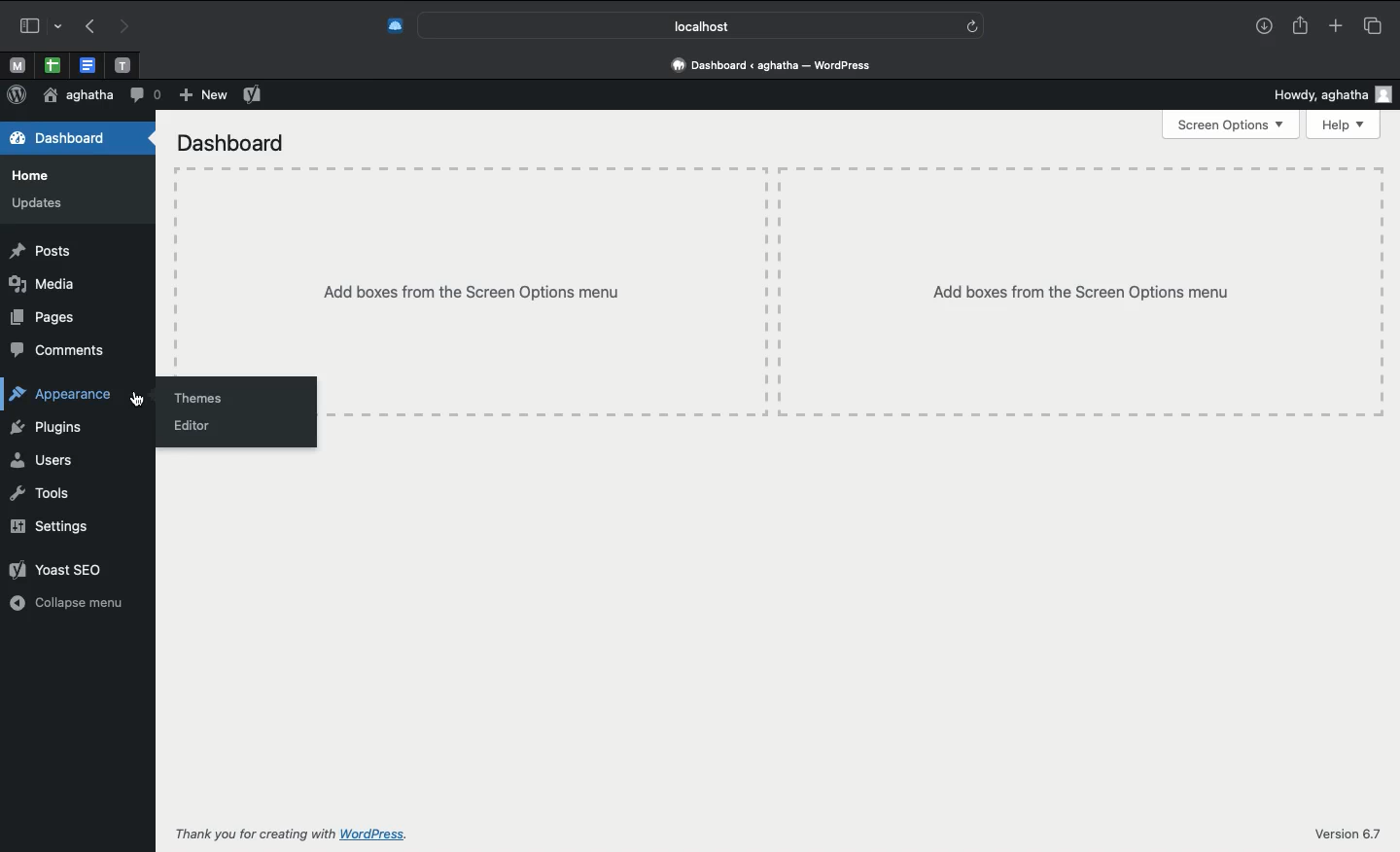 The image size is (1400, 852). I want to click on Screen options, so click(1231, 124).